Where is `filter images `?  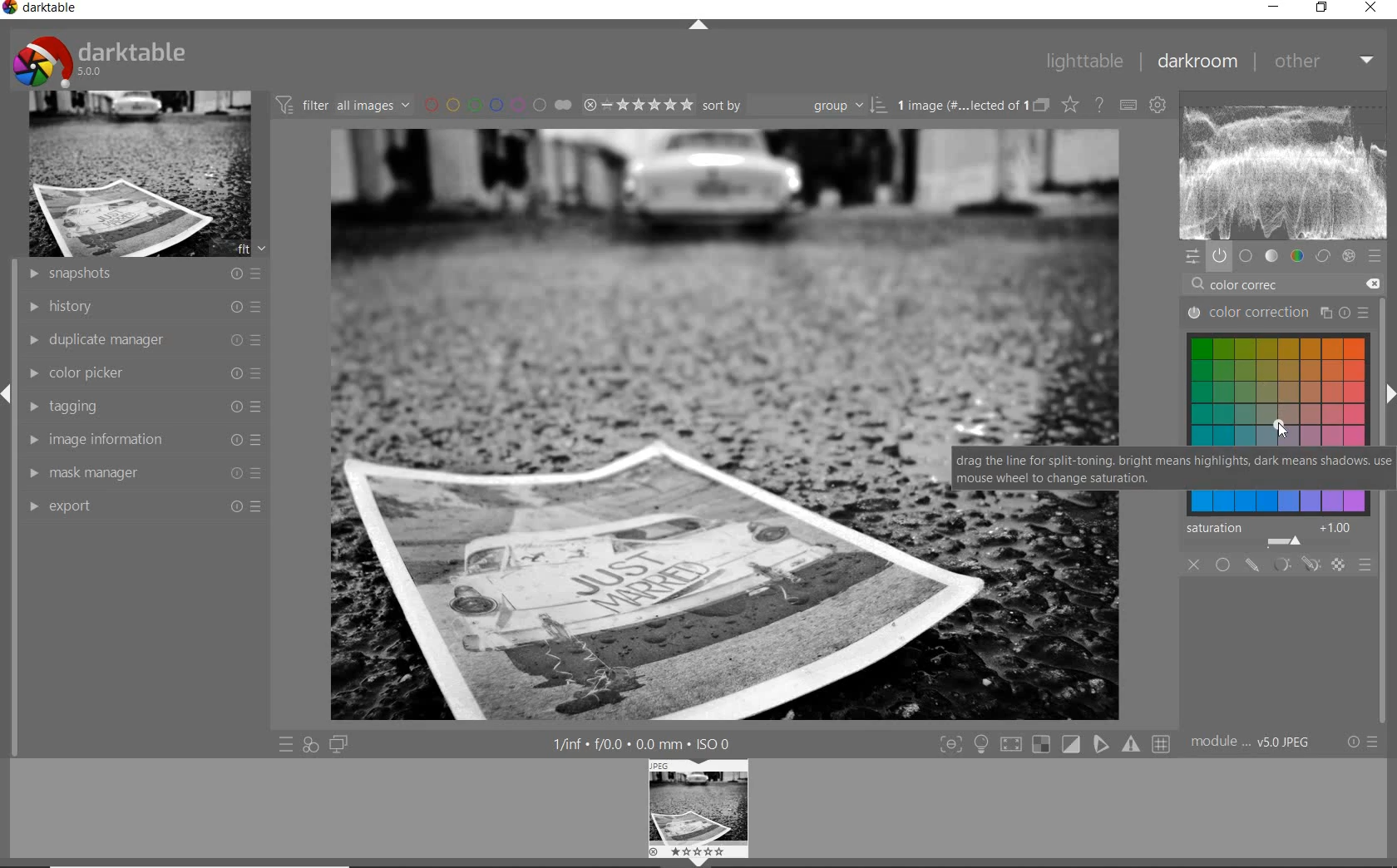
filter images  is located at coordinates (343, 104).